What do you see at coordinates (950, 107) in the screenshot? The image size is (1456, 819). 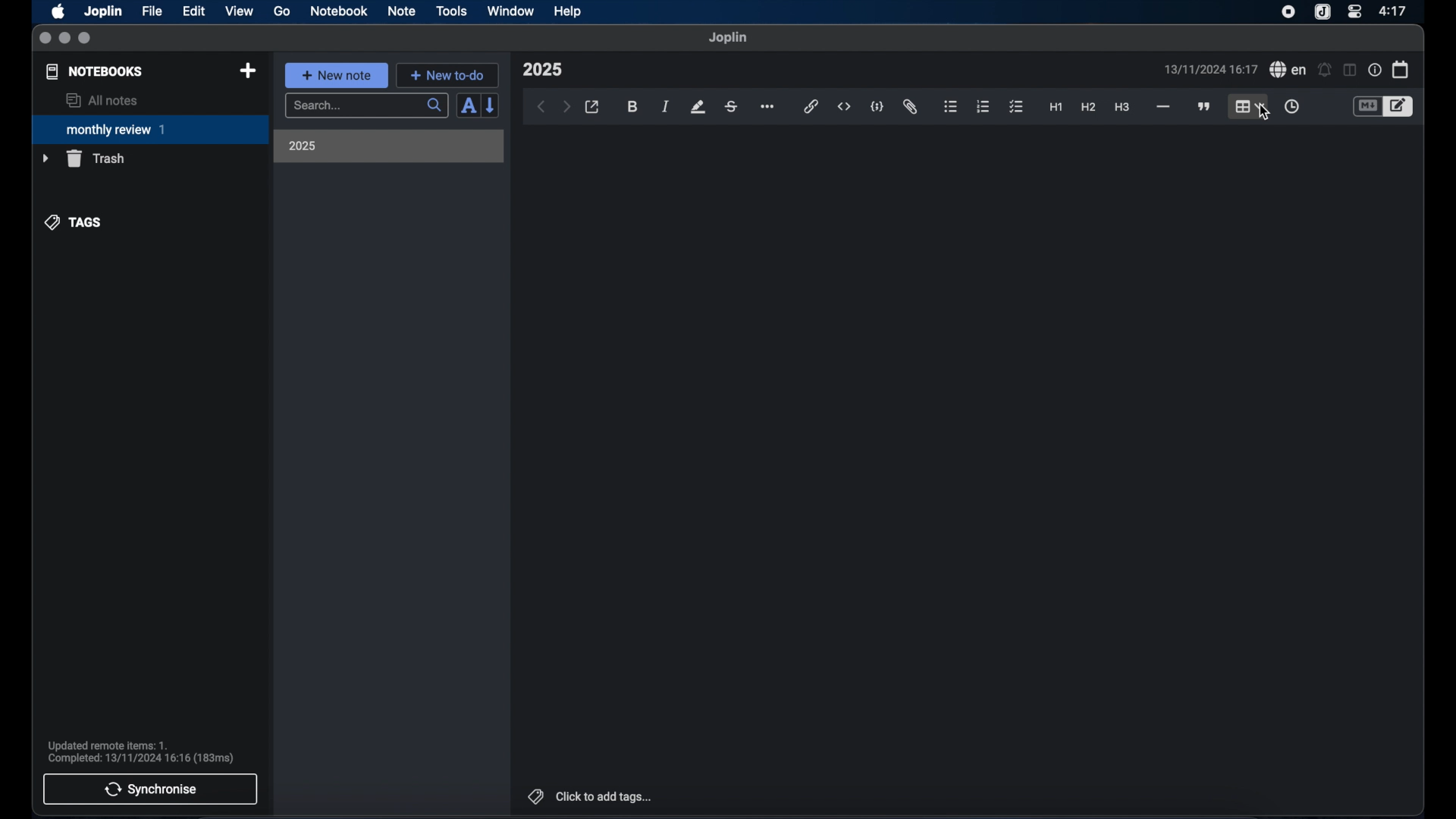 I see `bulleted list` at bounding box center [950, 107].